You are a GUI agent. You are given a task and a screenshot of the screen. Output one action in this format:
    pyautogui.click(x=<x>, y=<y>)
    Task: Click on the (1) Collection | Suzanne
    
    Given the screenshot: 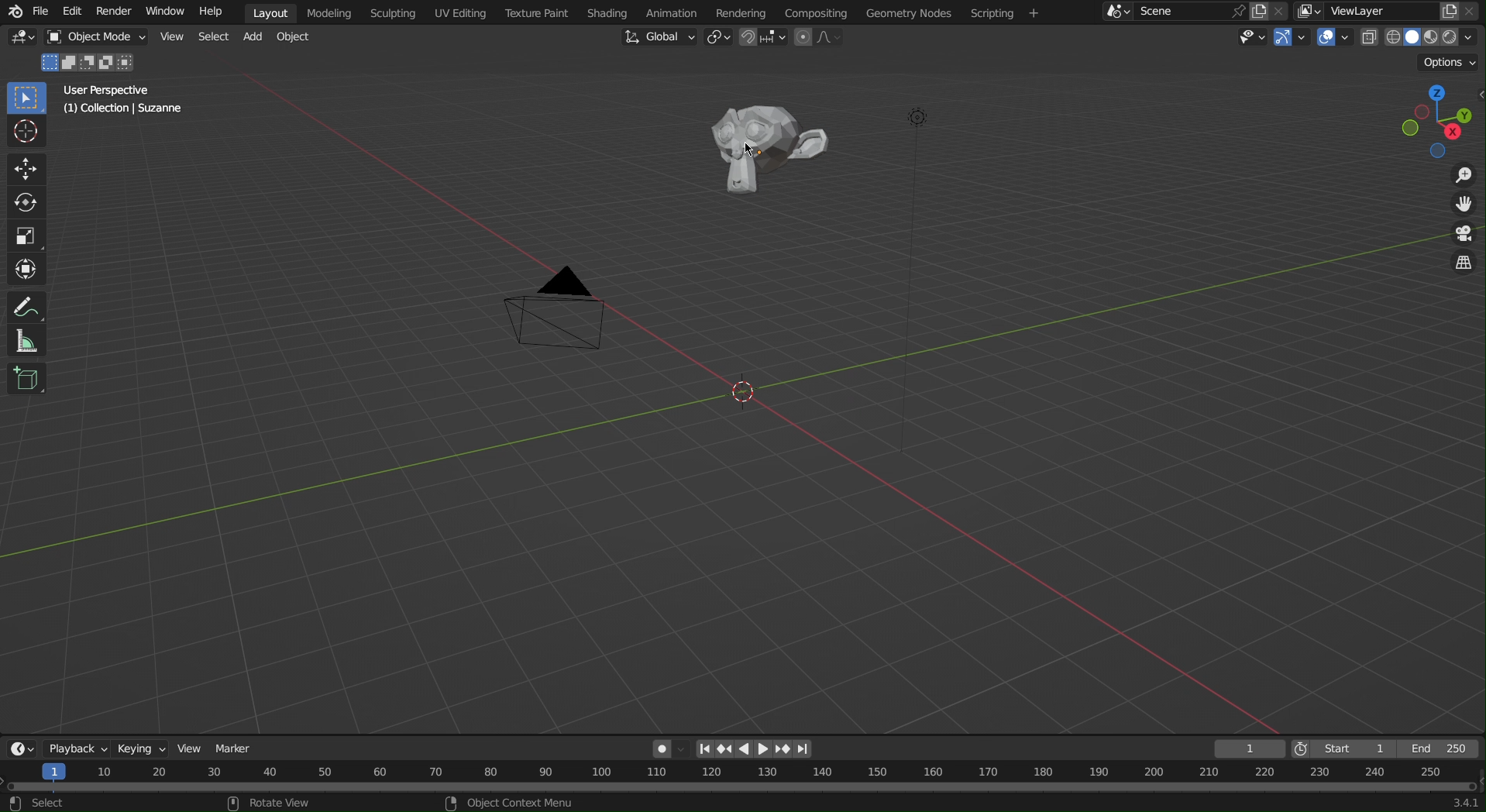 What is the action you would take?
    pyautogui.click(x=126, y=109)
    